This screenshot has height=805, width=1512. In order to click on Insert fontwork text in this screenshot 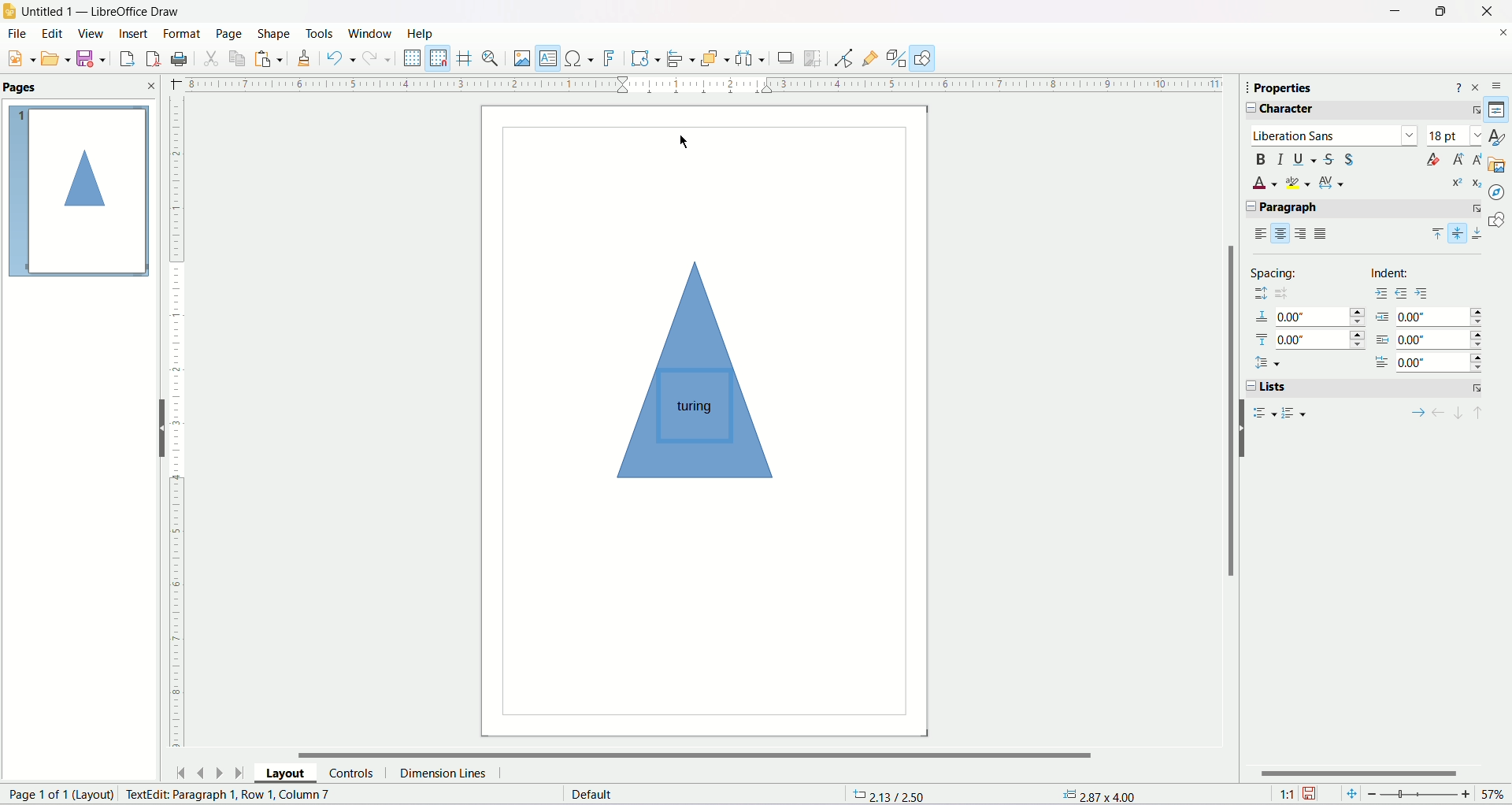, I will do `click(610, 57)`.